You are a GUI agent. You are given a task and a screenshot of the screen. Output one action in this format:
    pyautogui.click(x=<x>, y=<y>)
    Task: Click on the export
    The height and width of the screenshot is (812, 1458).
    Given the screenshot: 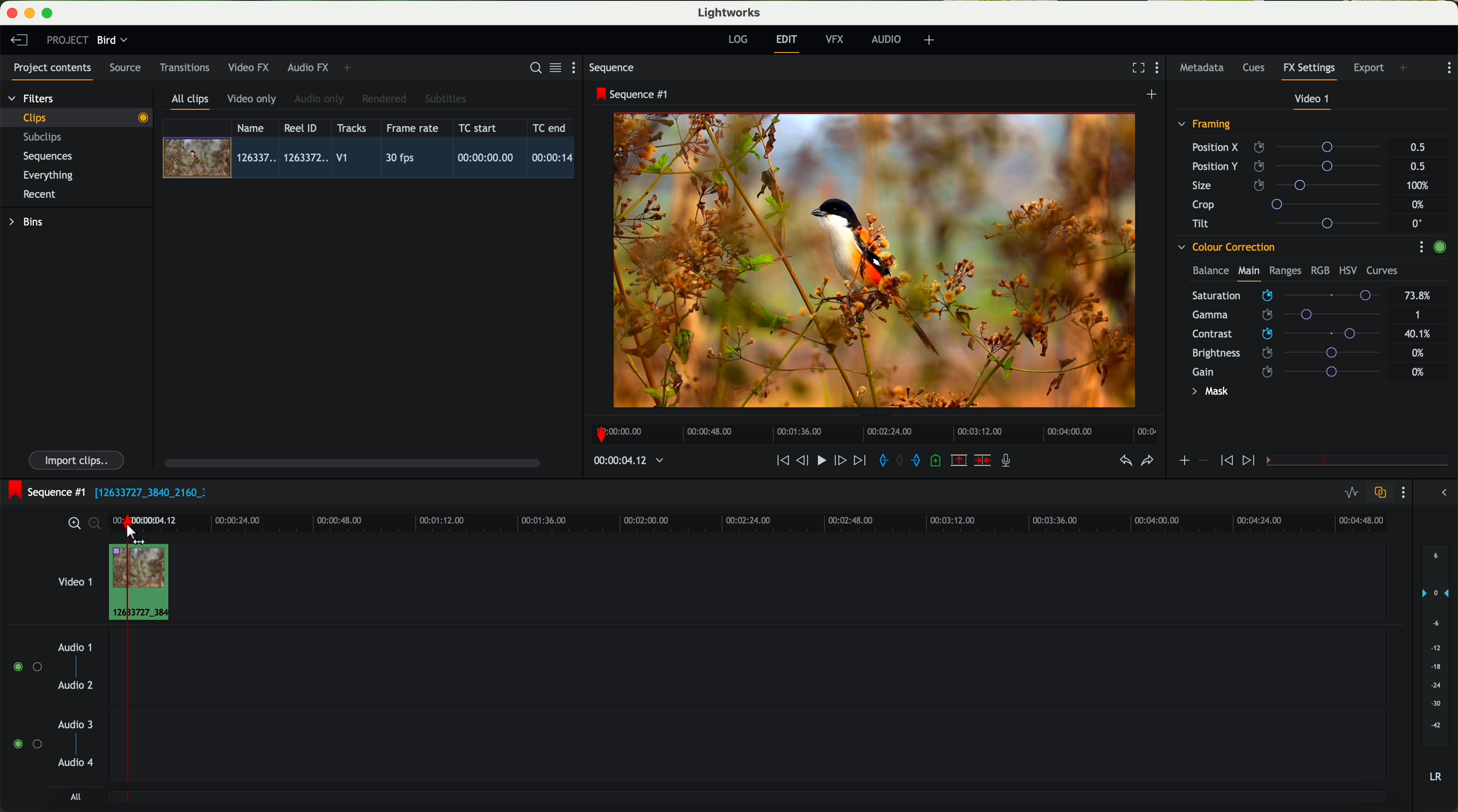 What is the action you would take?
    pyautogui.click(x=1369, y=69)
    